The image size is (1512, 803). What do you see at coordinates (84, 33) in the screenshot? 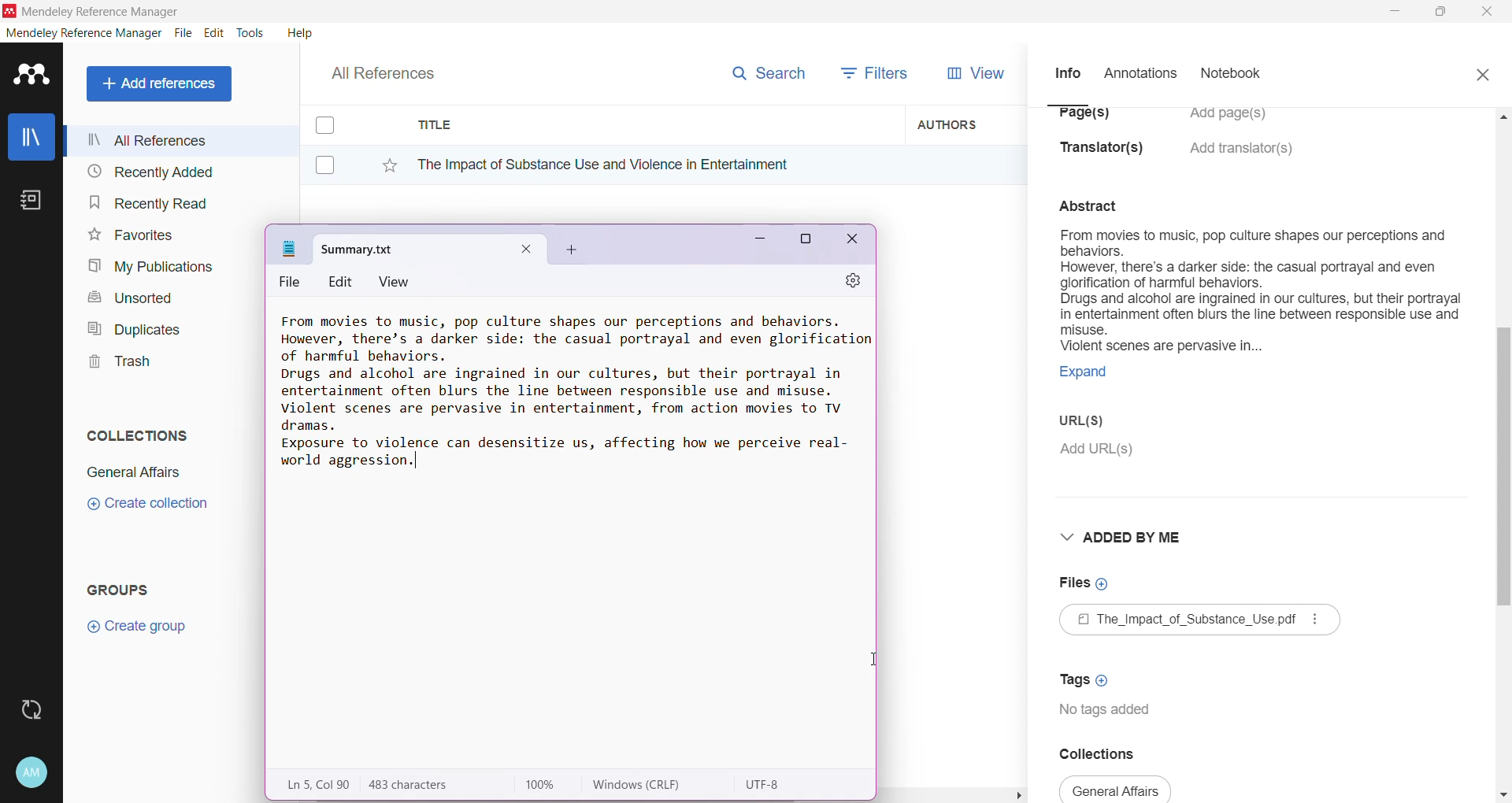
I see `Mendeley Reference Manager` at bounding box center [84, 33].